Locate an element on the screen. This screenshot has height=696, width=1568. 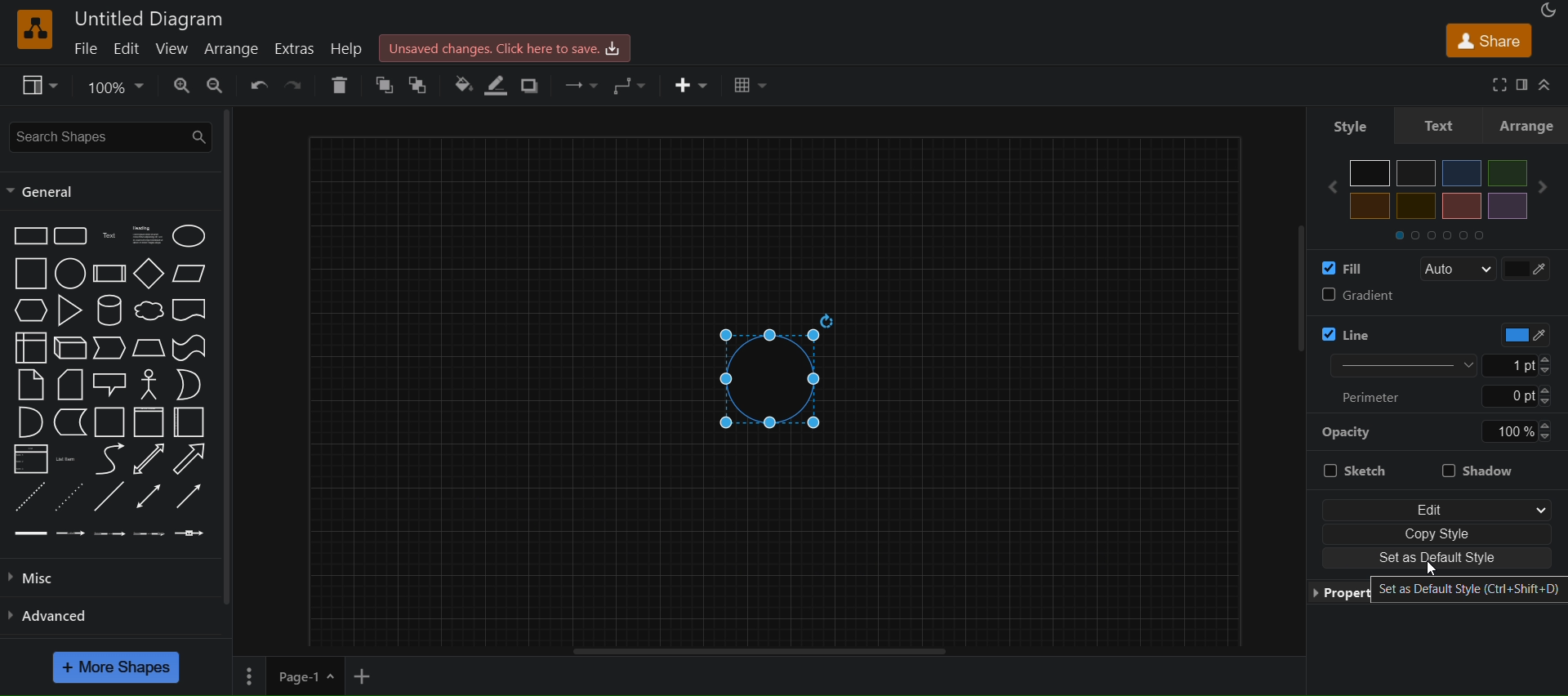
light yellow color is located at coordinates (1415, 206).